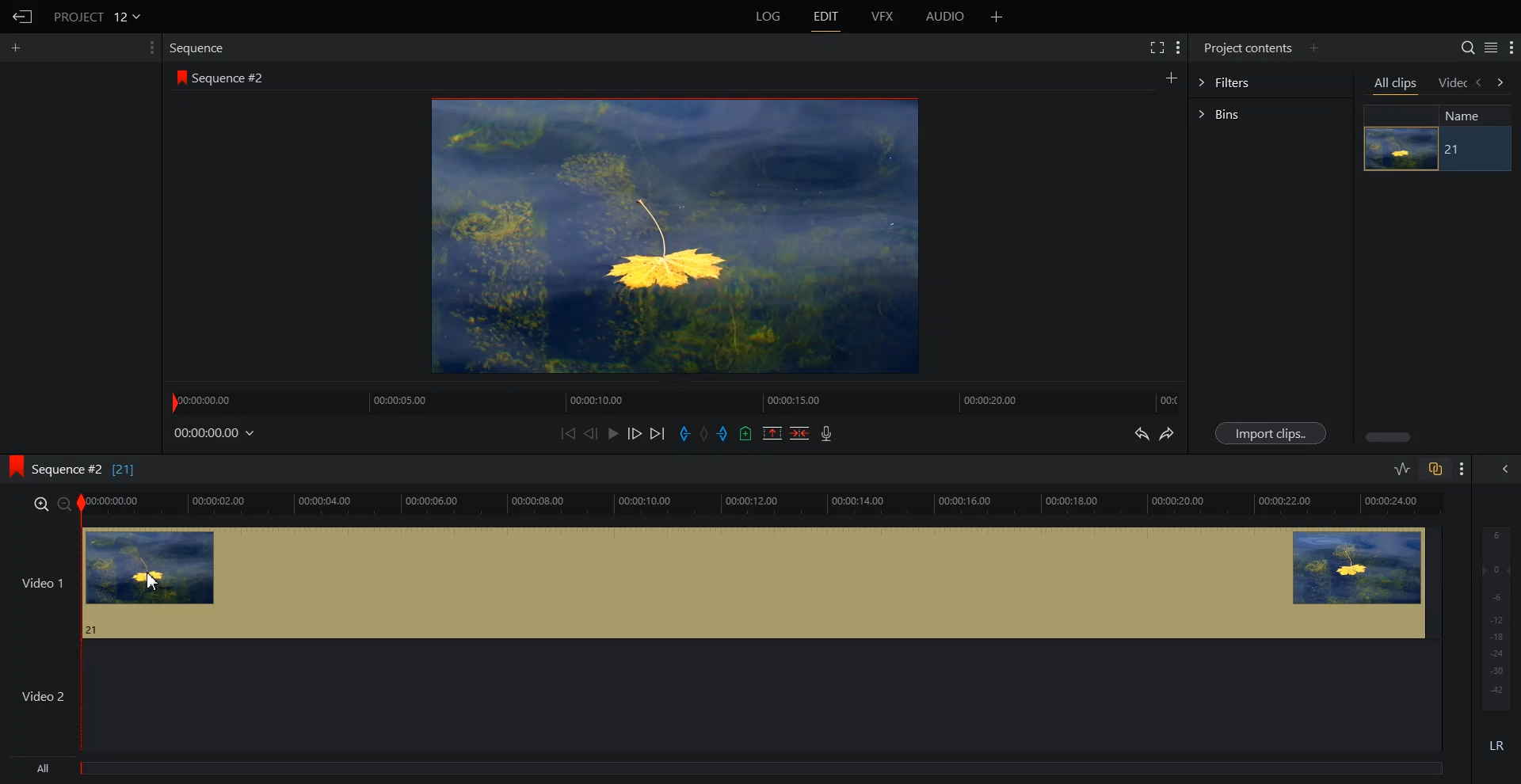 This screenshot has width=1521, height=784. What do you see at coordinates (1270, 81) in the screenshot?
I see `Filters` at bounding box center [1270, 81].